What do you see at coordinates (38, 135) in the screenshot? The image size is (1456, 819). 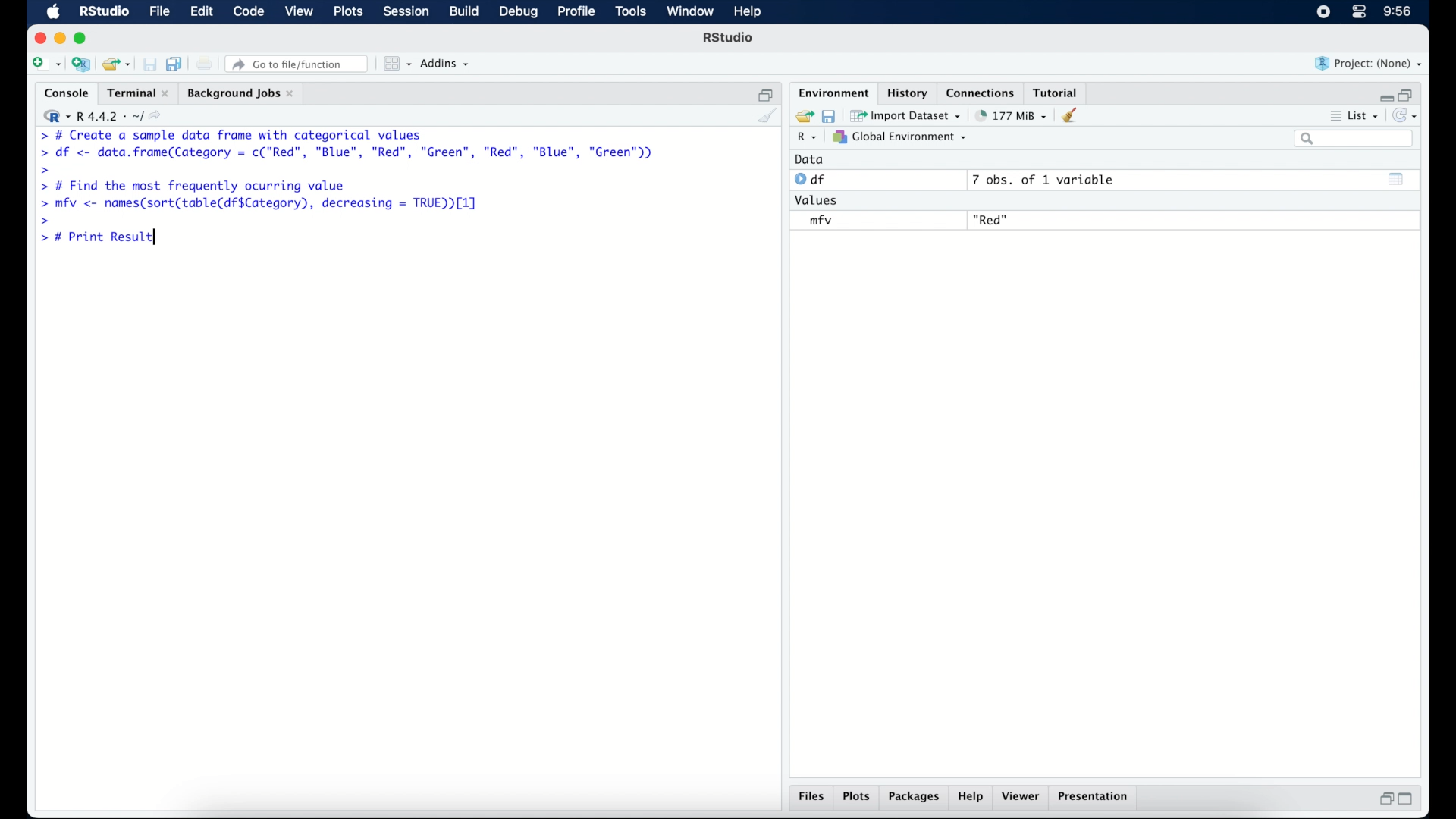 I see `command prompt` at bounding box center [38, 135].